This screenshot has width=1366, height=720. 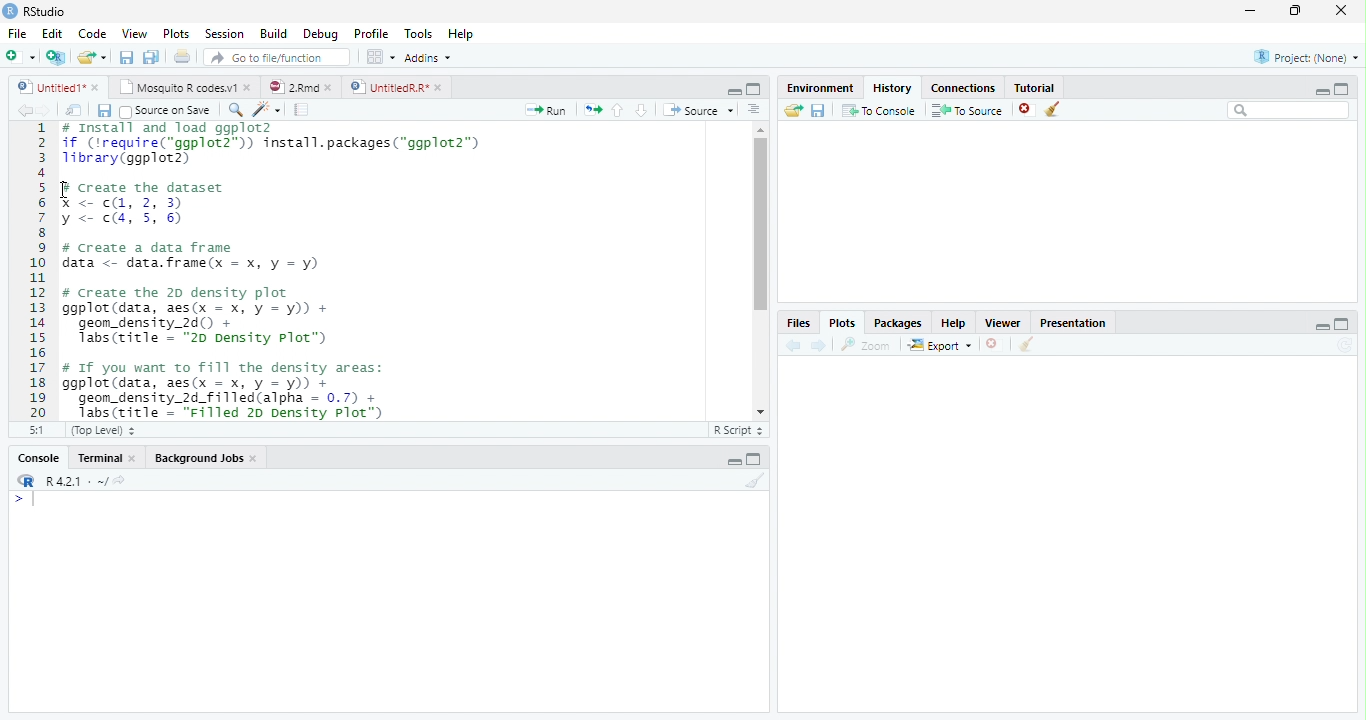 I want to click on Profile, so click(x=372, y=34).